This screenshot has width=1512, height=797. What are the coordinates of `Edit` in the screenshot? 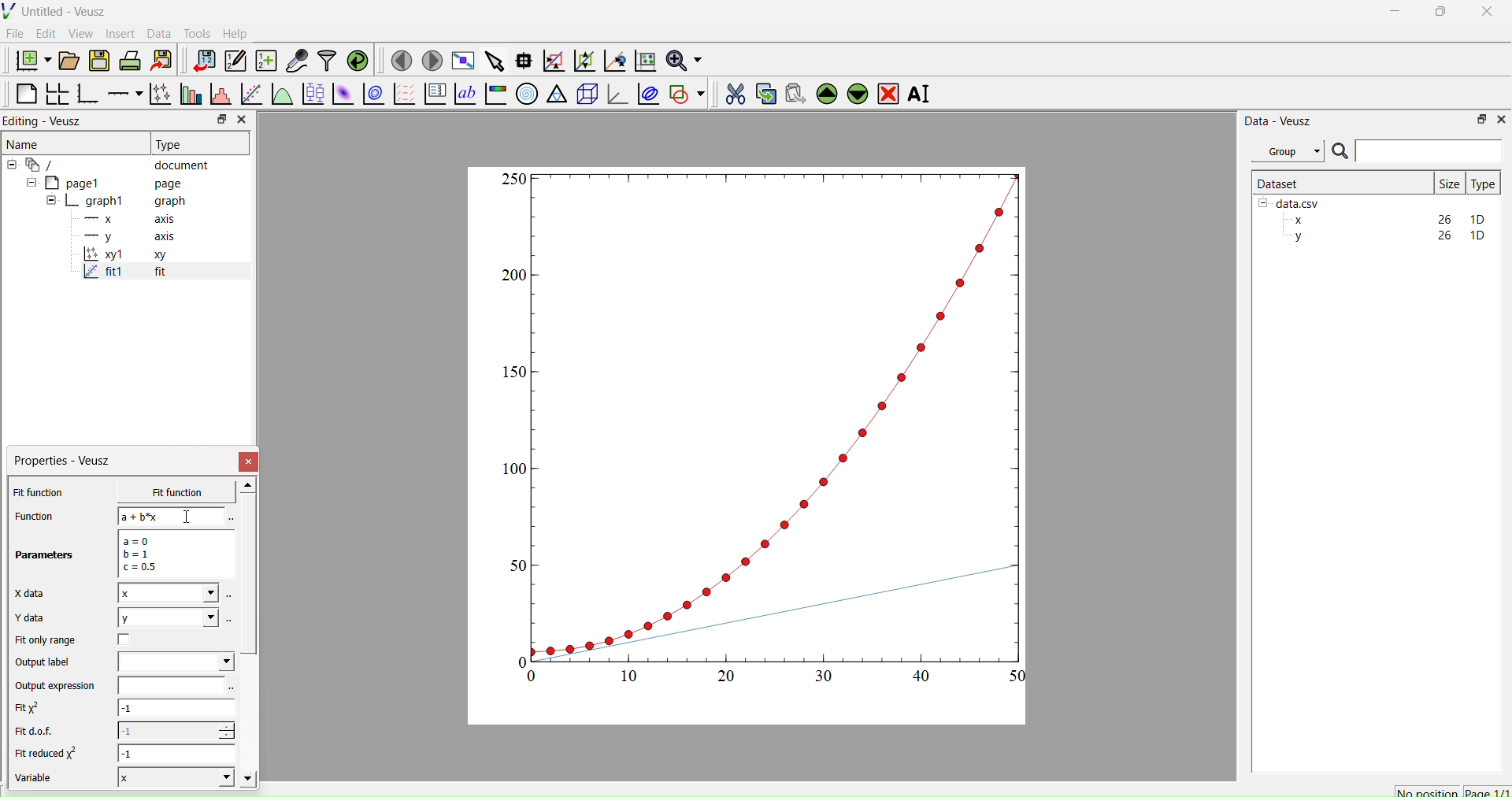 It's located at (44, 33).